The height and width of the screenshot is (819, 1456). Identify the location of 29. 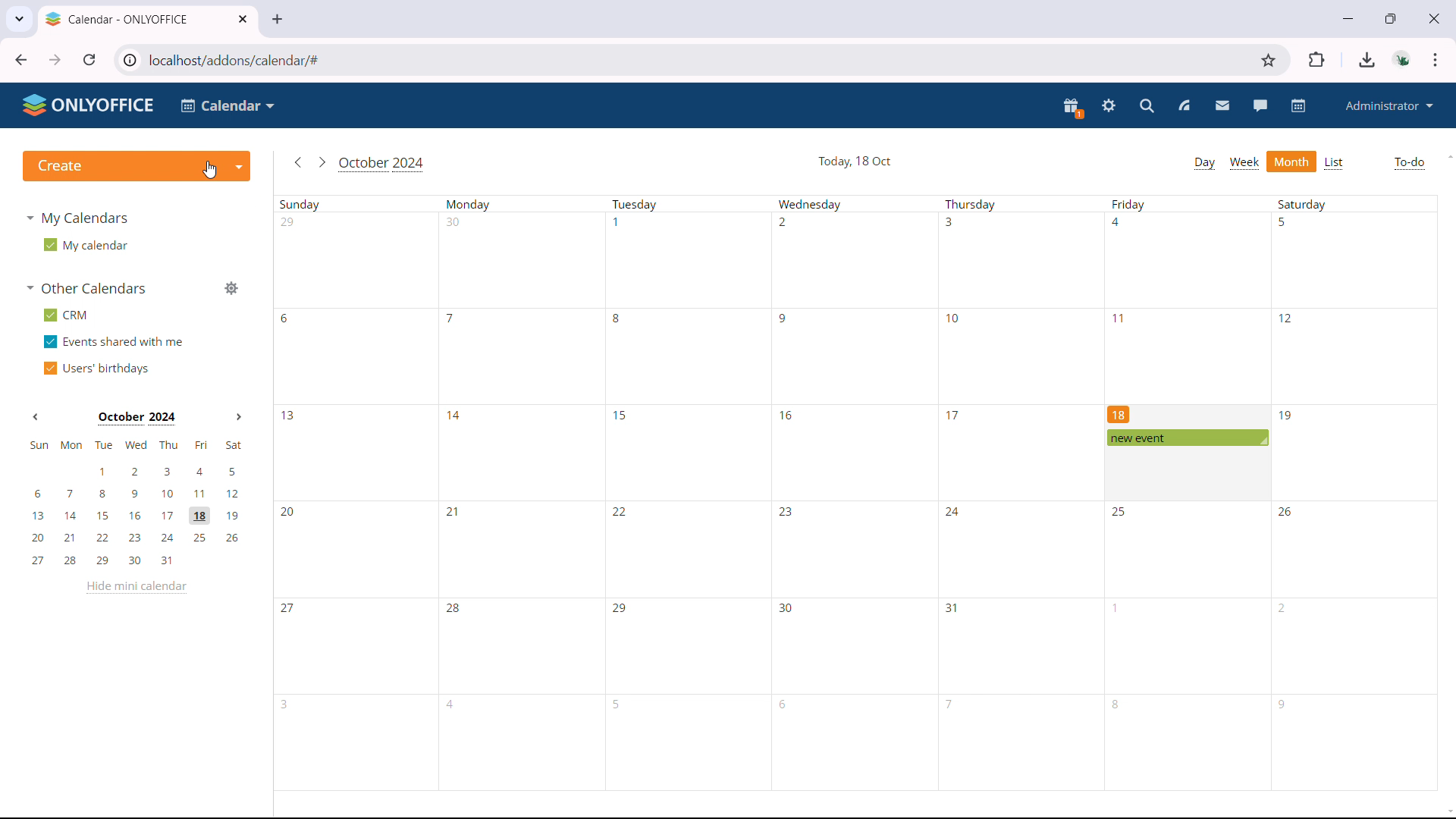
(289, 221).